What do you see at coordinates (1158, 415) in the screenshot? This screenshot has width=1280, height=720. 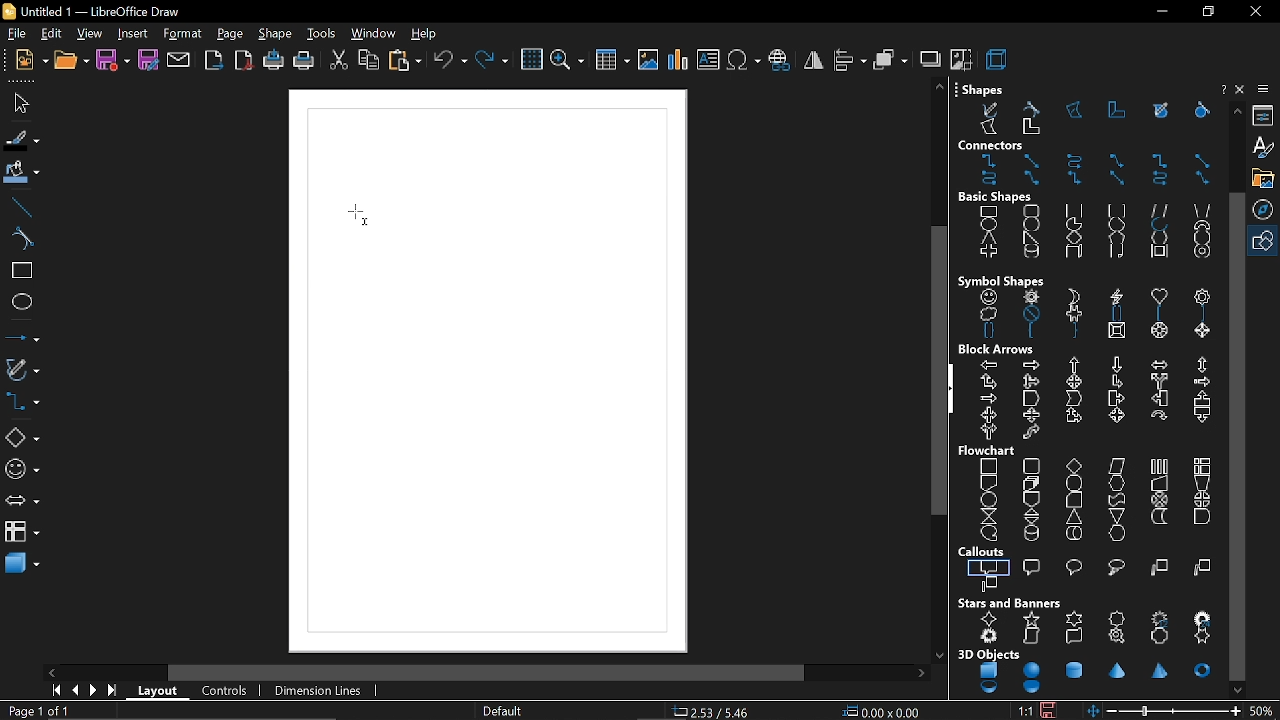 I see `circular arrow` at bounding box center [1158, 415].